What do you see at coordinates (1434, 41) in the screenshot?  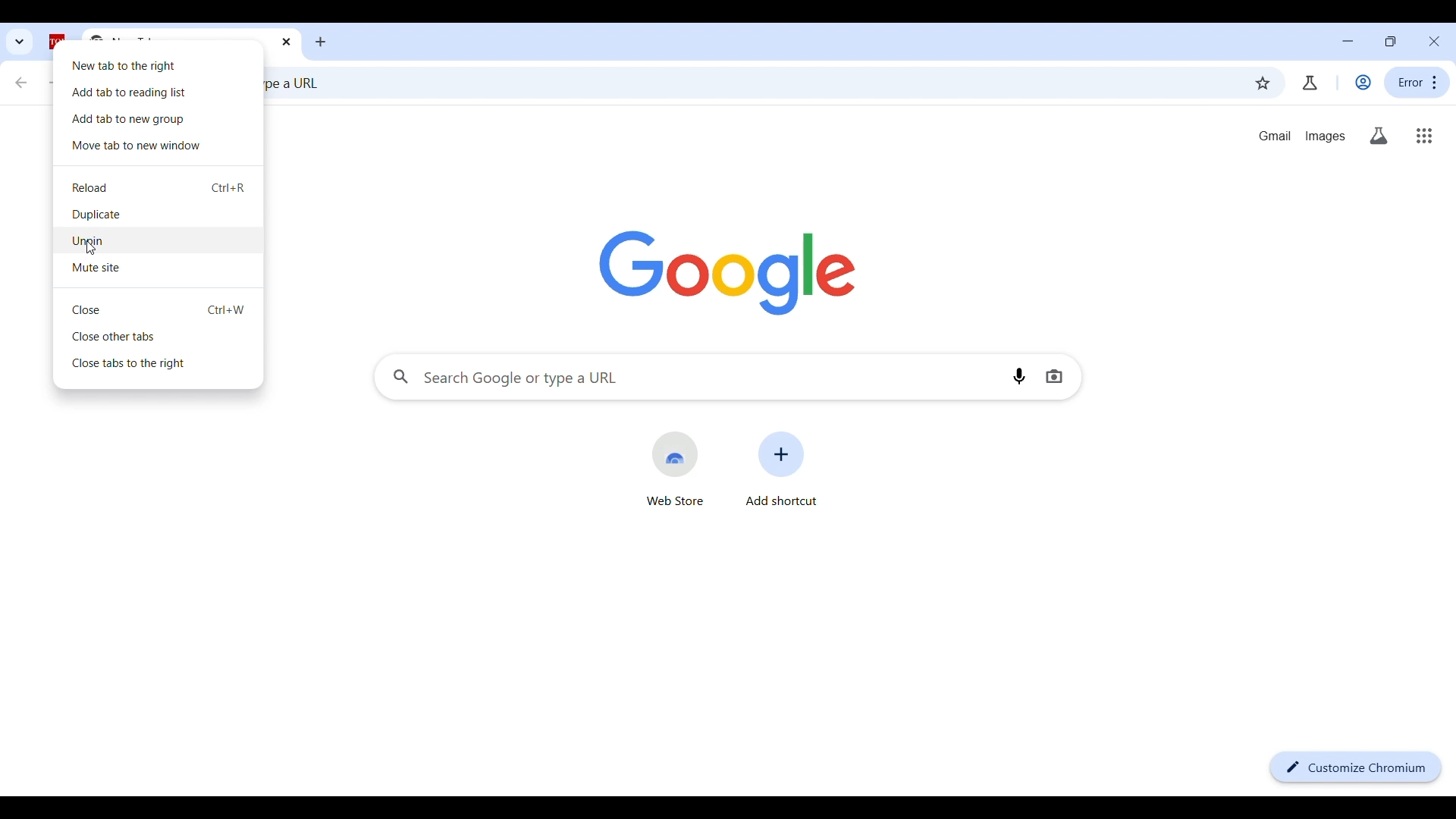 I see `Close interface` at bounding box center [1434, 41].